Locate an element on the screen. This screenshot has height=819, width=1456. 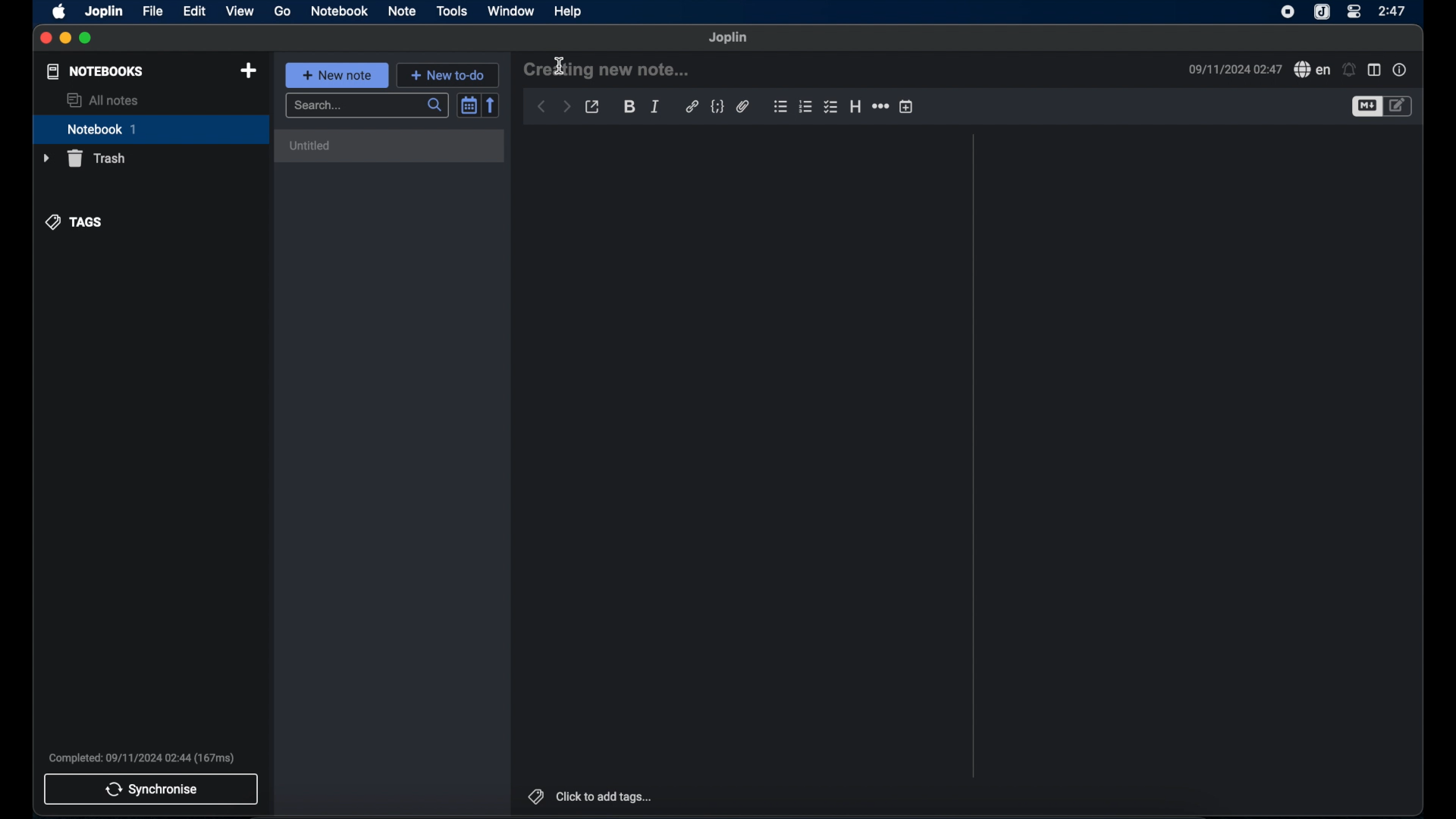
toggle sort order field is located at coordinates (468, 105).